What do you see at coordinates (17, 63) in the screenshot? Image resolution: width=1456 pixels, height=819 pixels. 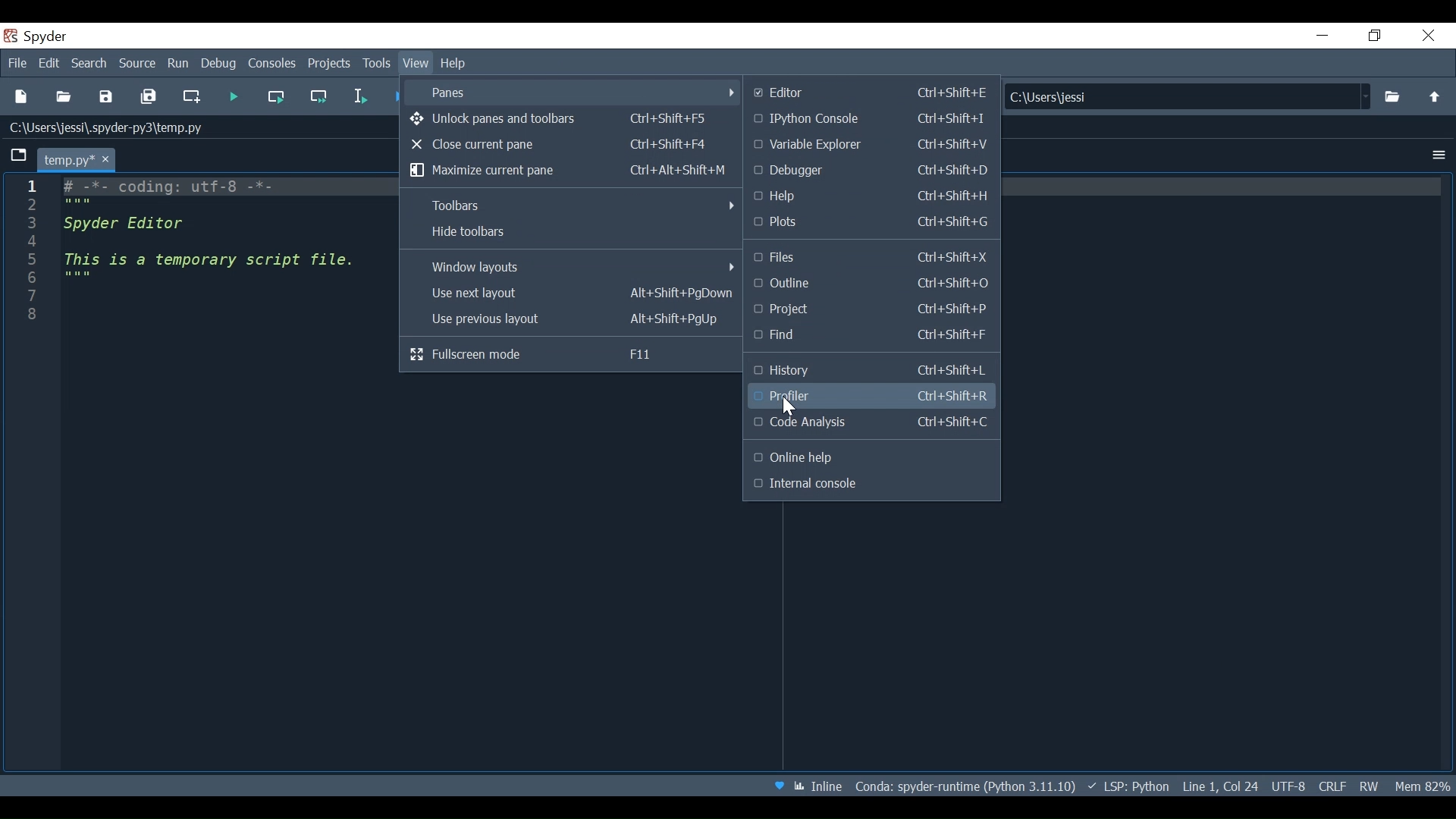 I see `File` at bounding box center [17, 63].